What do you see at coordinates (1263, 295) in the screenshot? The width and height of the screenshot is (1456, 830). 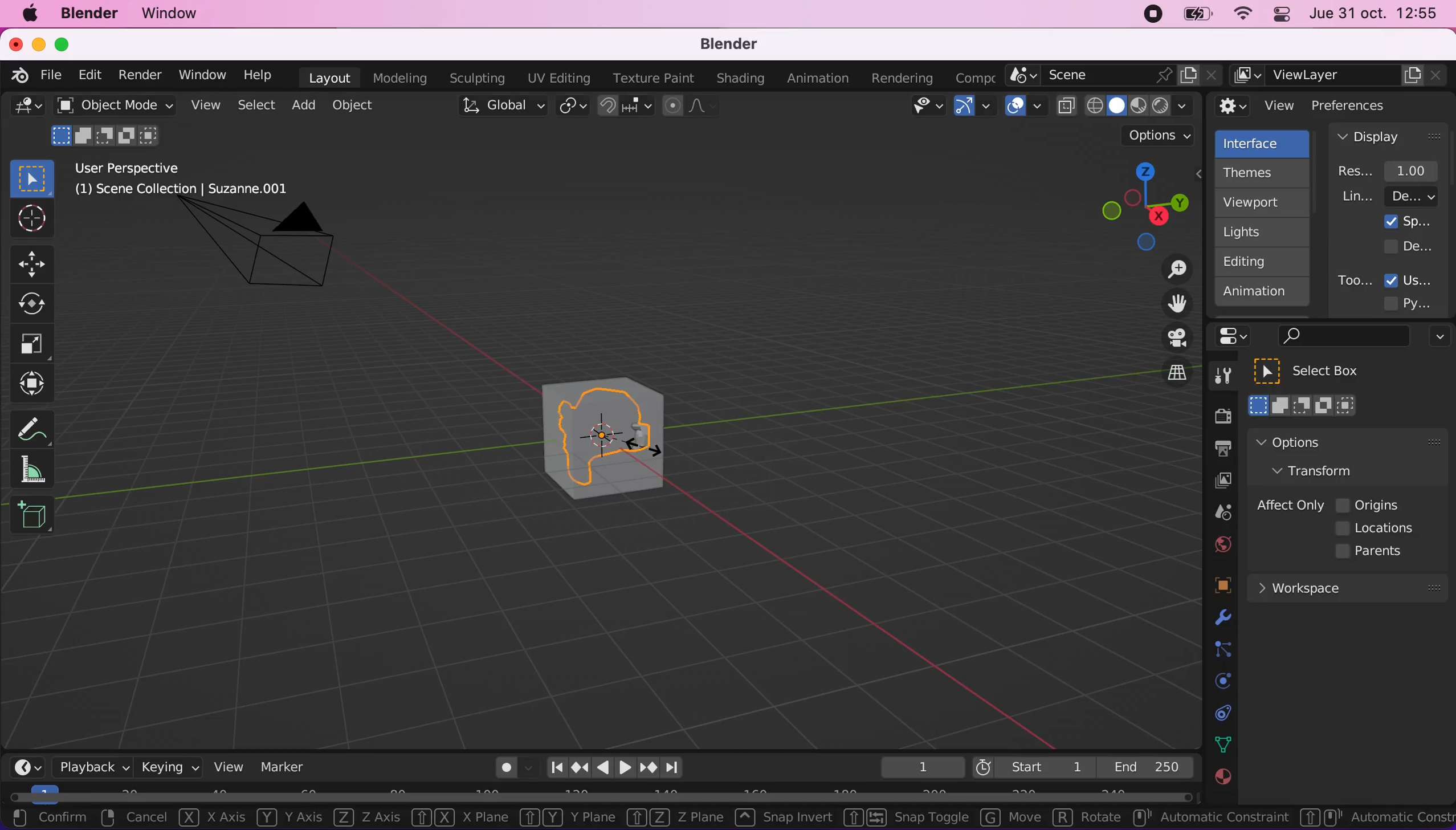 I see `animation` at bounding box center [1263, 295].